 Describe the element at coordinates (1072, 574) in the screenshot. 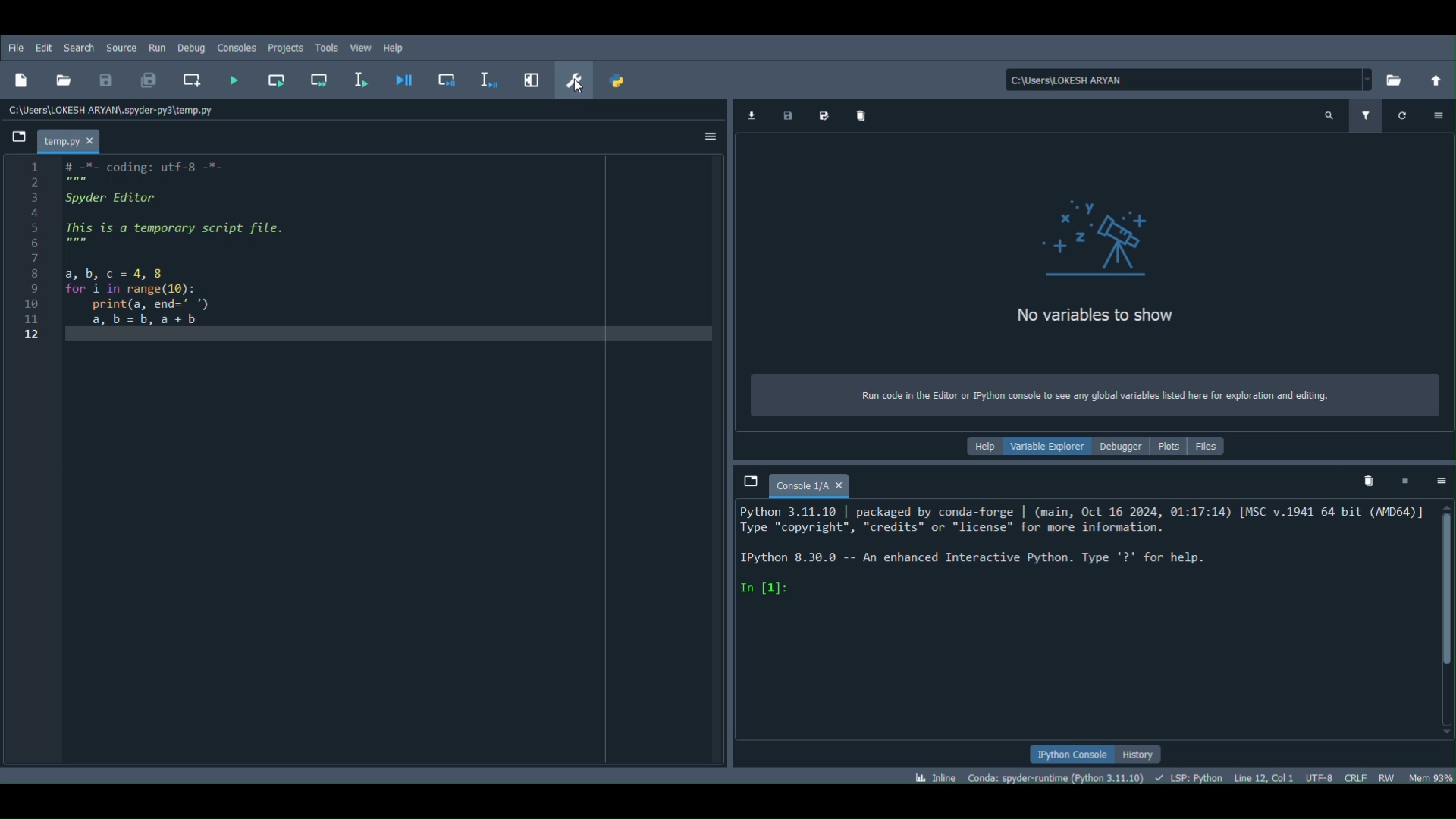

I see `Python 3.11.10 | packaged by conda-forge | (main, Oct 16 2024, 01:17:14) [MSC v.1941 64 bit (AMD64)]
Type “copyright”, "credits" or "license" for more information.

Python 8.30.0 -- An enhanced Interactive Python. Type '?" for help.

In [1]:` at that location.